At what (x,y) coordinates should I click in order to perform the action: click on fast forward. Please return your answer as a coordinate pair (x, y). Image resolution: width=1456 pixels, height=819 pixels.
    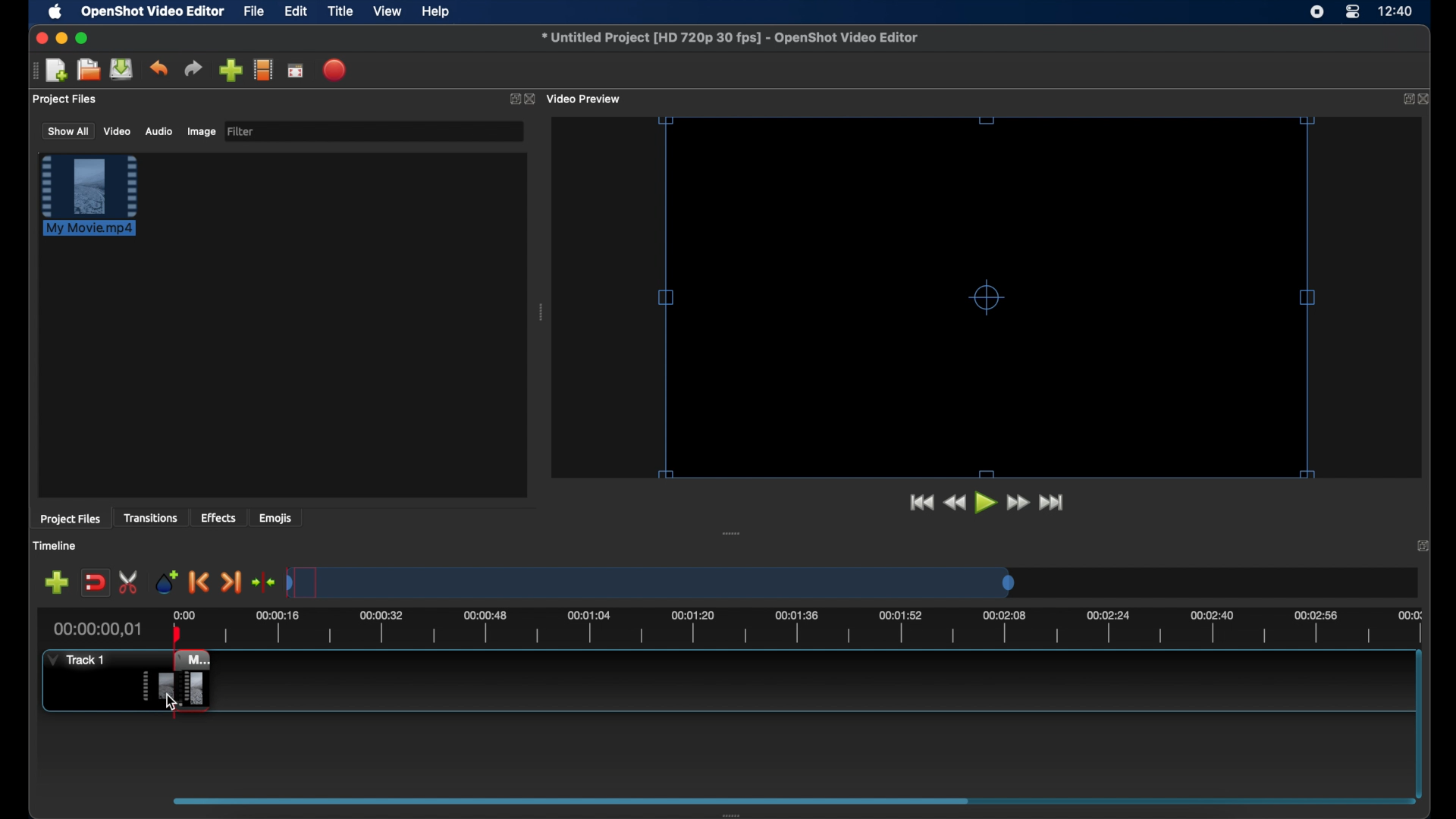
    Looking at the image, I should click on (1018, 503).